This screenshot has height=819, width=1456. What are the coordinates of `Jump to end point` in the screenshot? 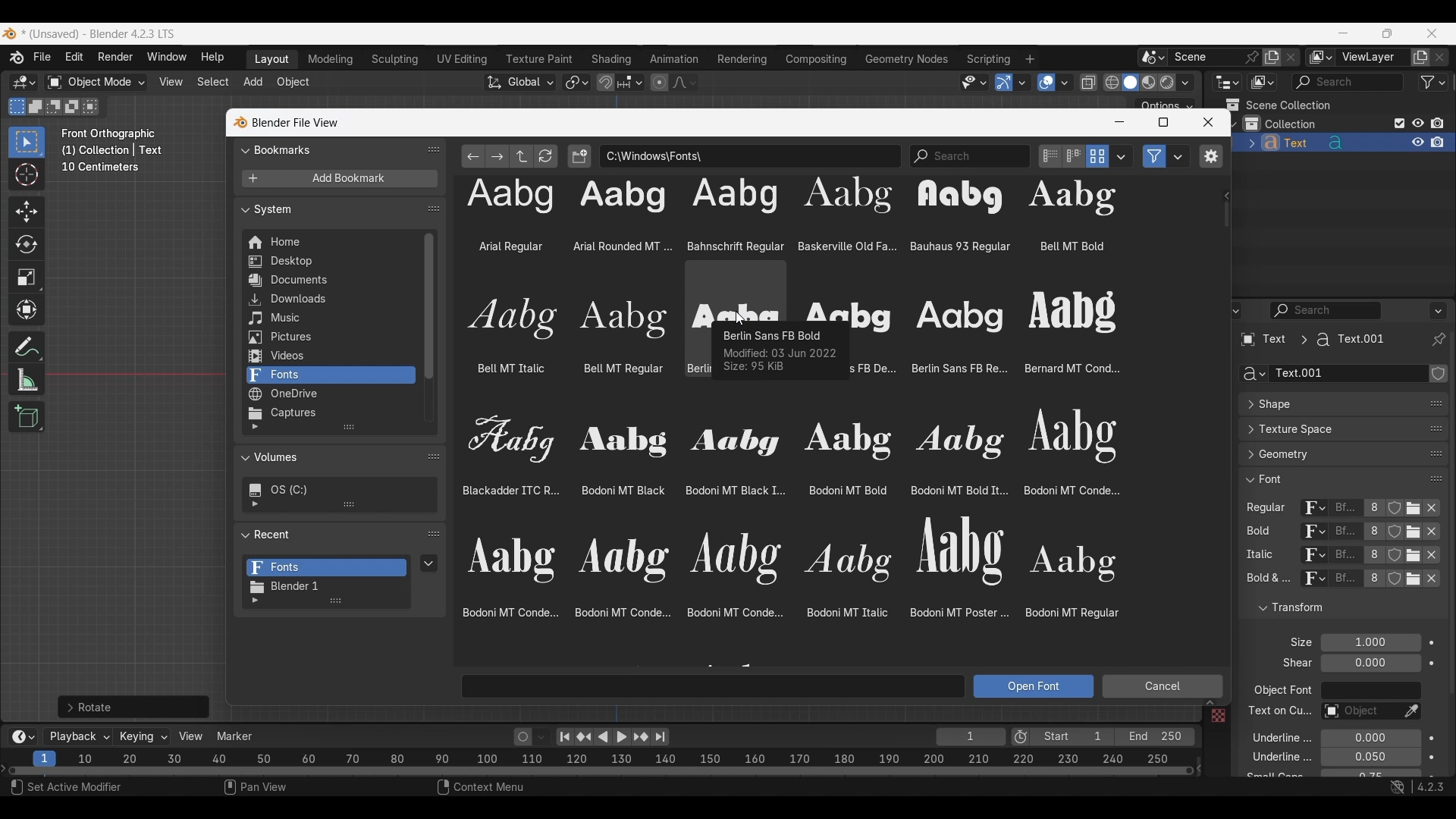 It's located at (661, 737).